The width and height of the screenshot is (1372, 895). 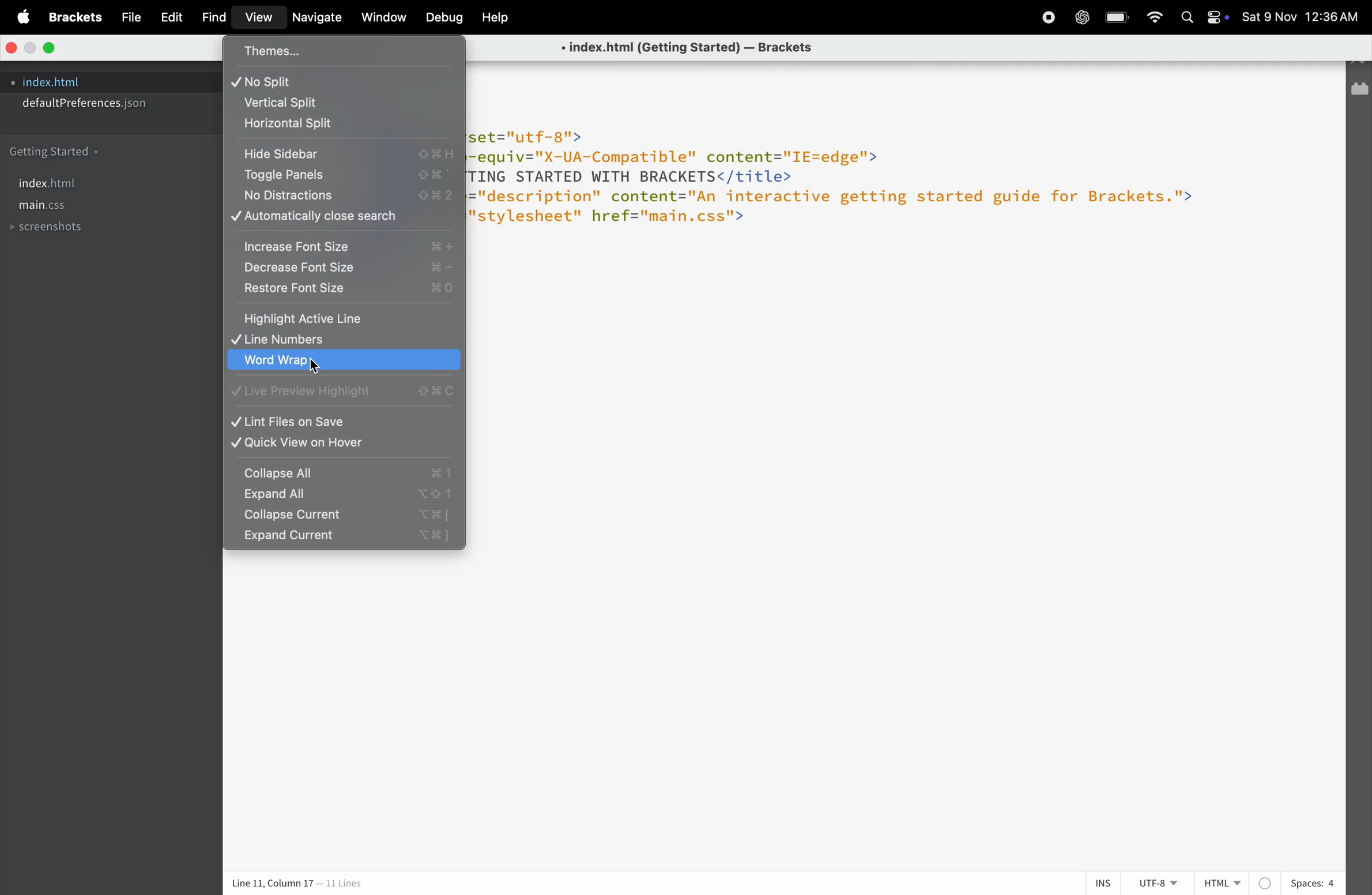 I want to click on ins, so click(x=1105, y=883).